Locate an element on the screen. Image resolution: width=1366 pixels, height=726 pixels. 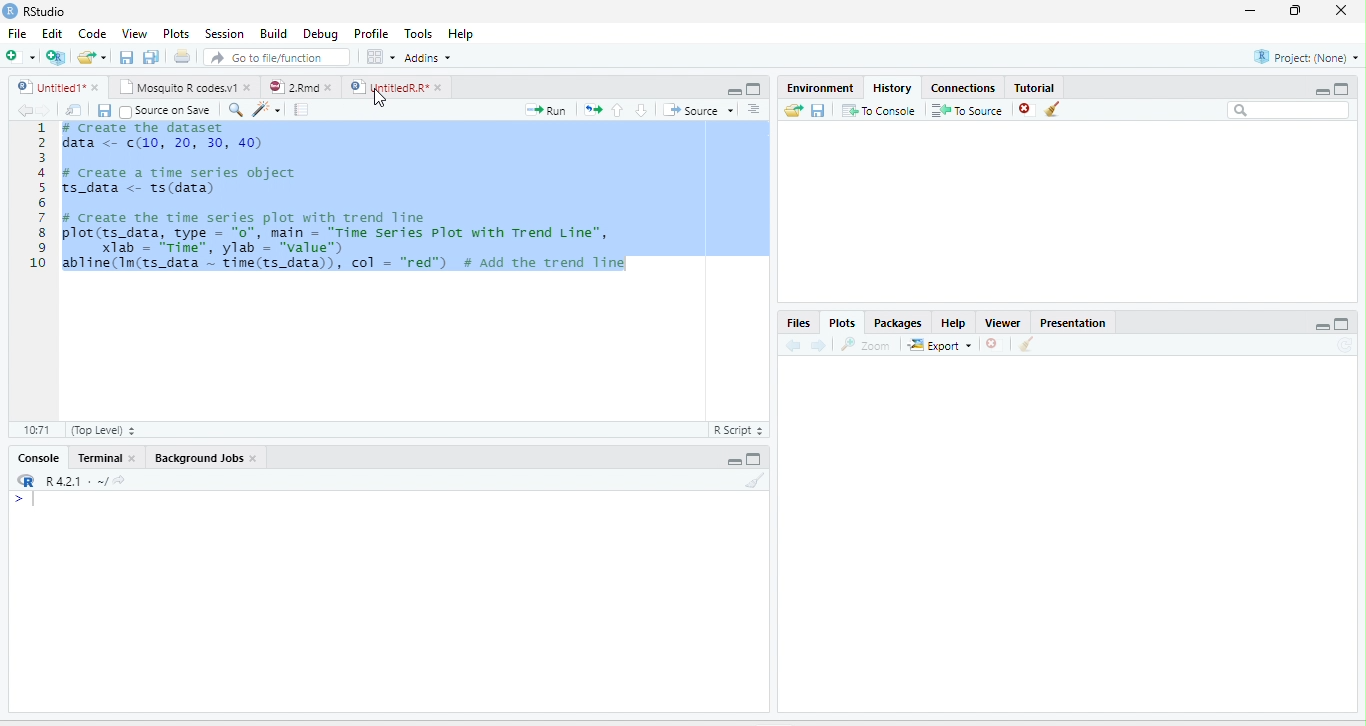
Viewer is located at coordinates (1003, 322).